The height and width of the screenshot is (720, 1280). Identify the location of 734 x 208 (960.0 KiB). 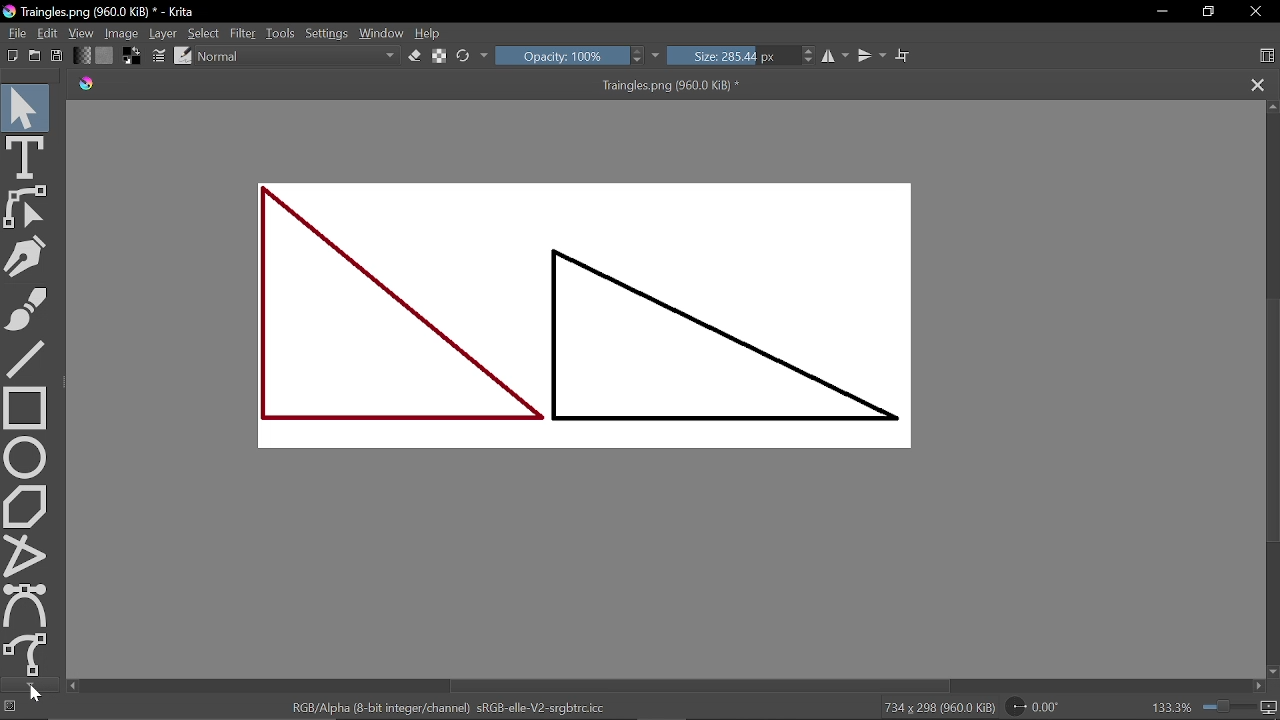
(939, 707).